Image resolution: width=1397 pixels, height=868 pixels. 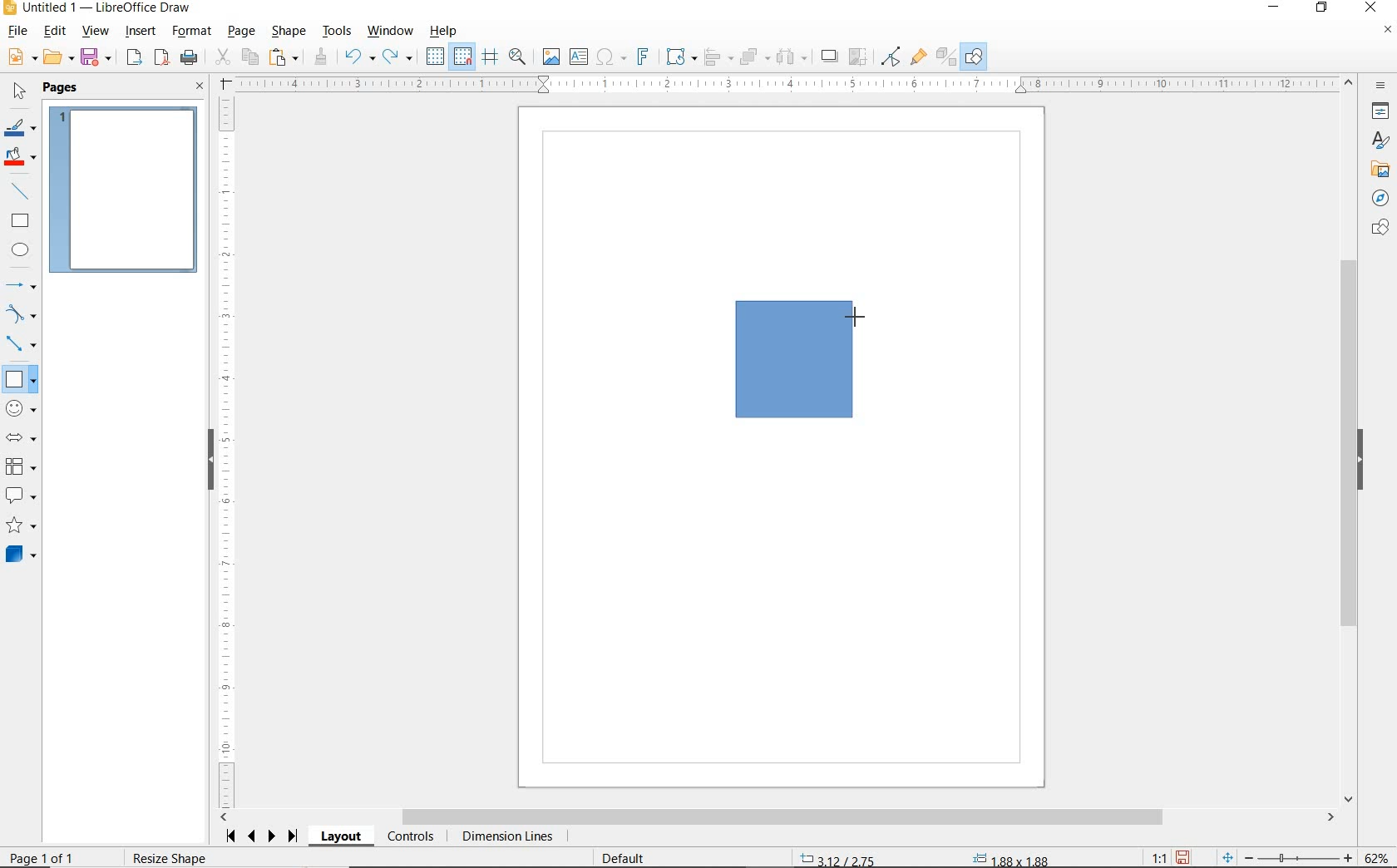 I want to click on EDIT, so click(x=55, y=31).